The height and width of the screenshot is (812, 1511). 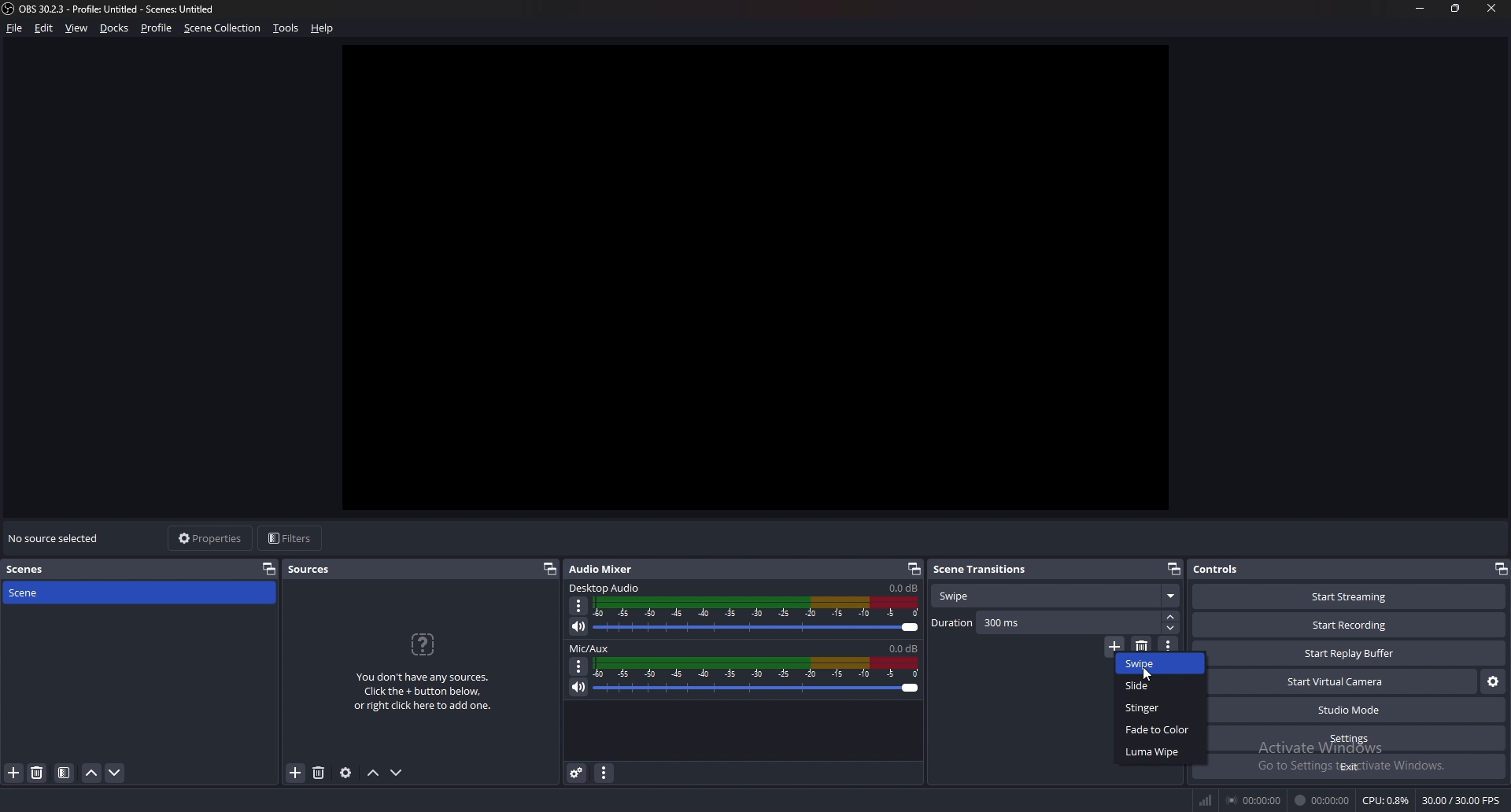 What do you see at coordinates (1356, 766) in the screenshot?
I see `exit` at bounding box center [1356, 766].